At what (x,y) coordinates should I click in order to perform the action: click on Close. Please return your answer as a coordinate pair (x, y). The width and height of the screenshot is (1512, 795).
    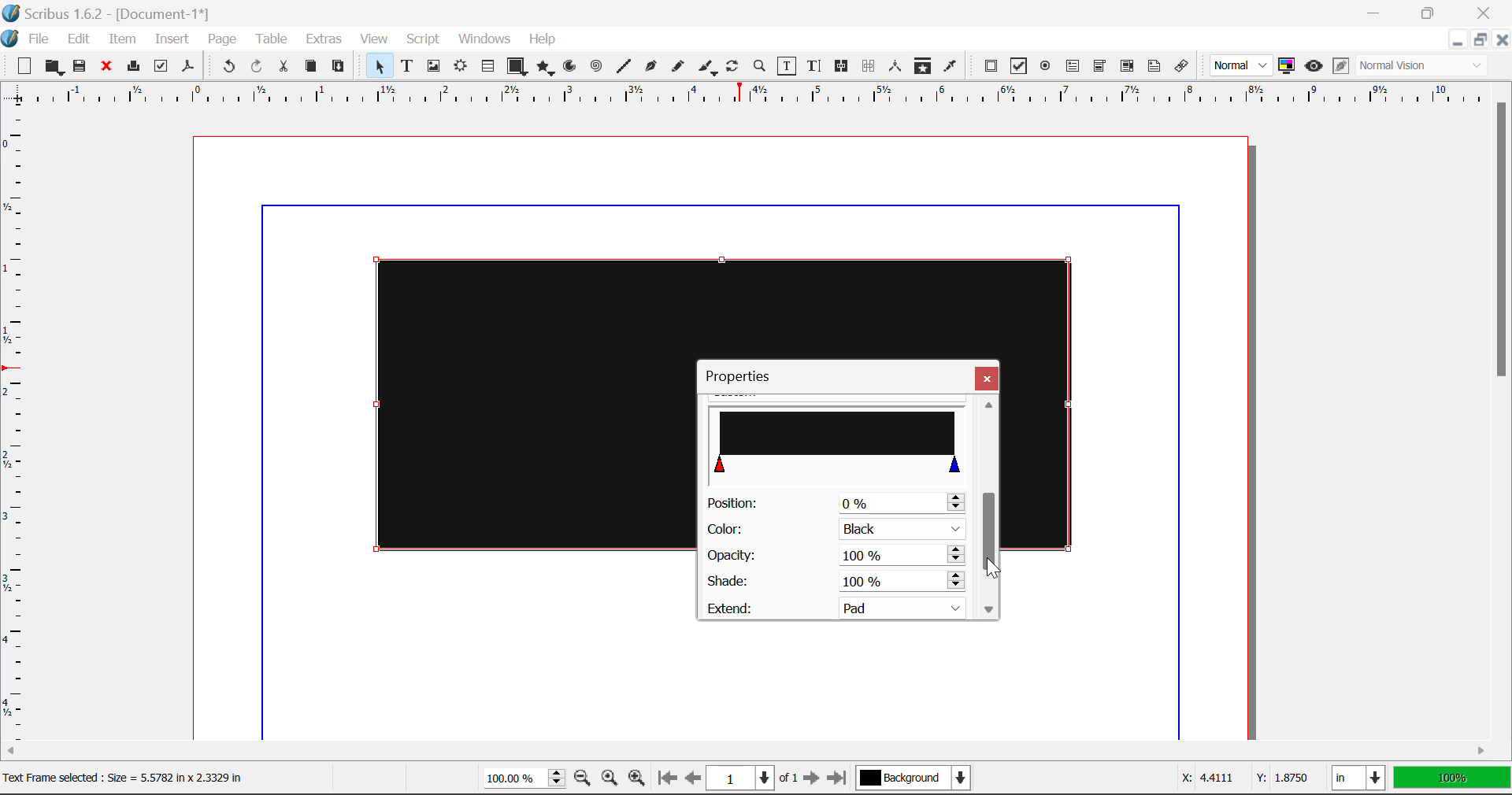
    Looking at the image, I should click on (1487, 11).